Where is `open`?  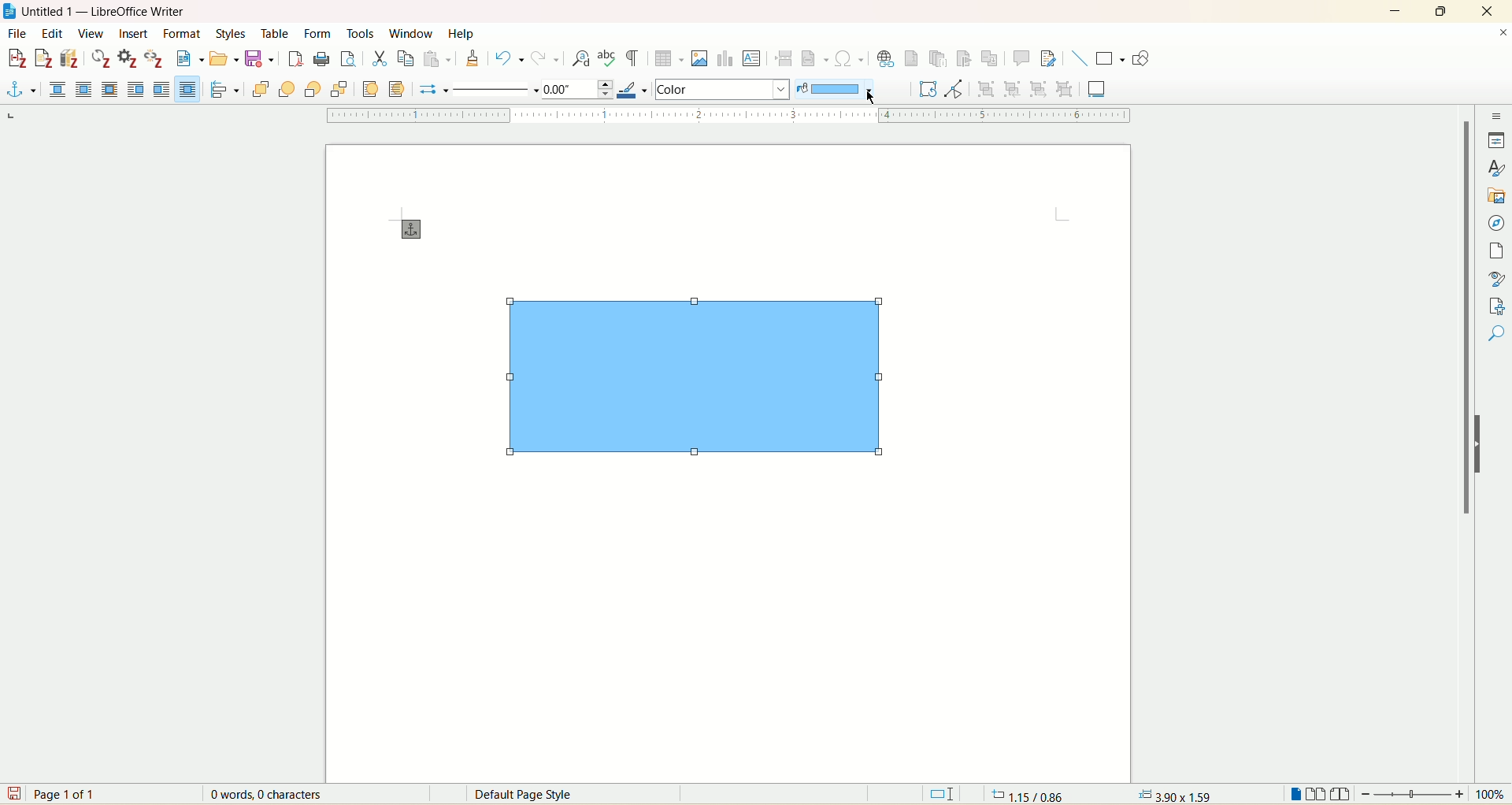
open is located at coordinates (223, 59).